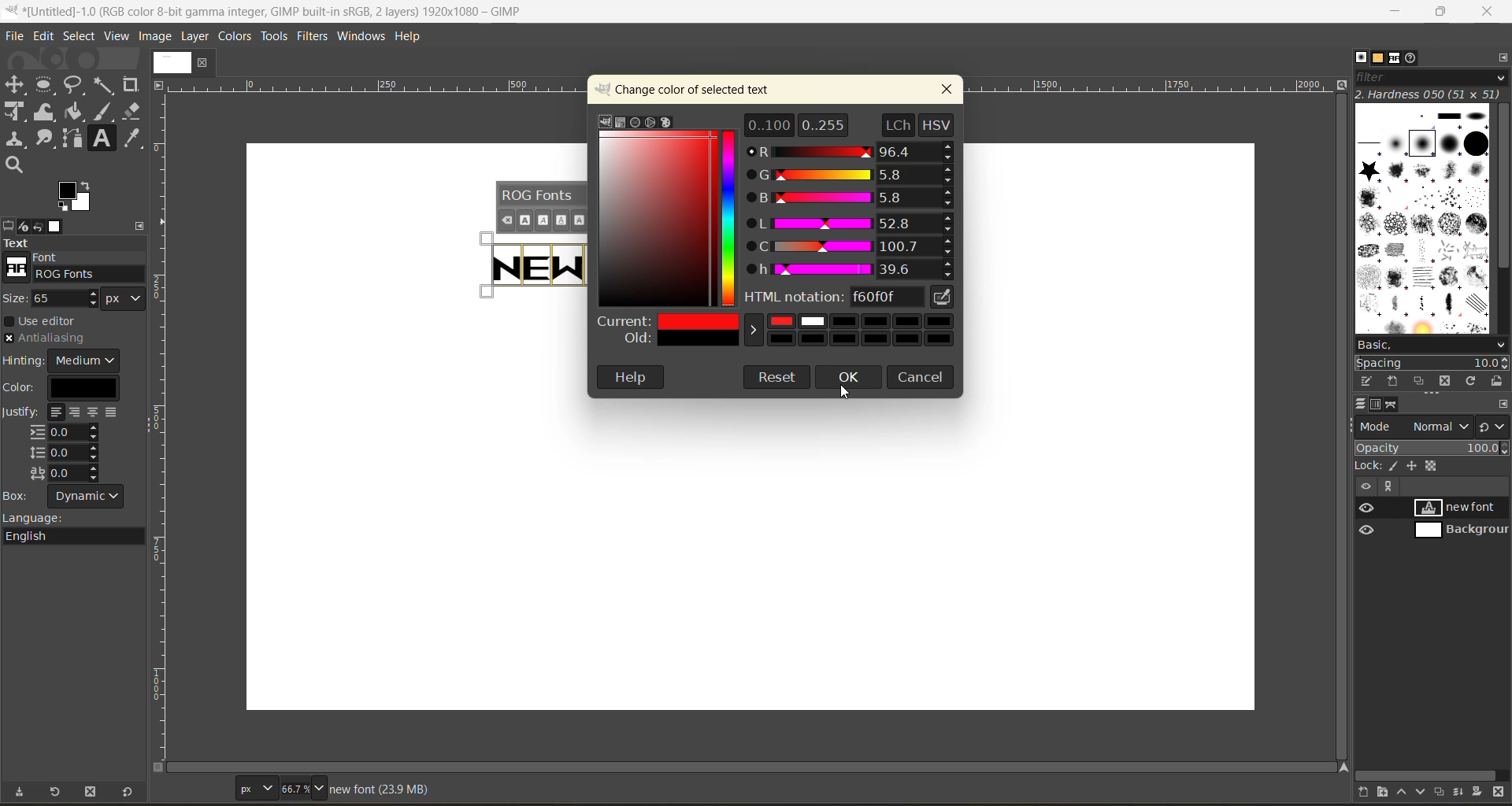  I want to click on image, so click(157, 38).